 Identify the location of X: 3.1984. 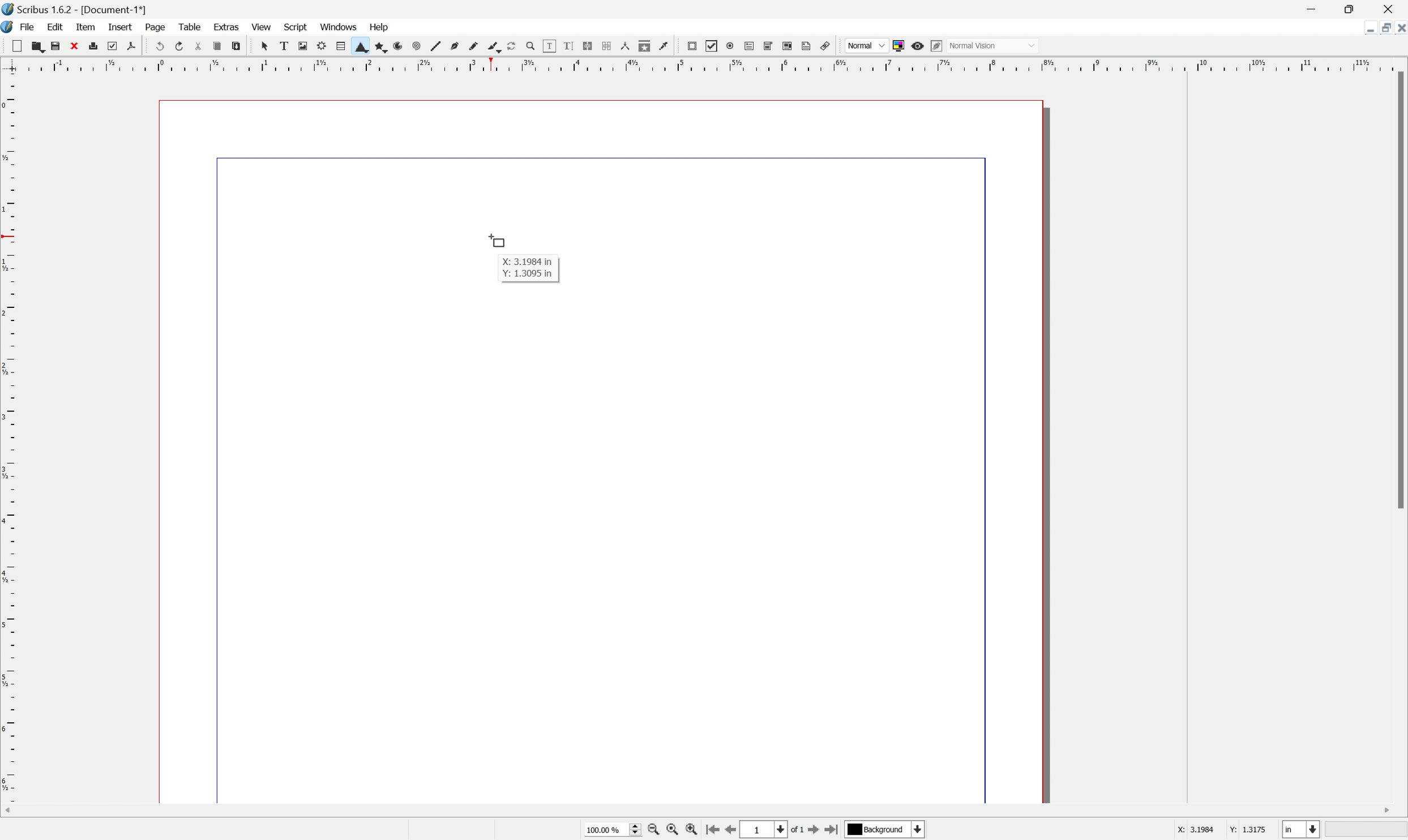
(1196, 829).